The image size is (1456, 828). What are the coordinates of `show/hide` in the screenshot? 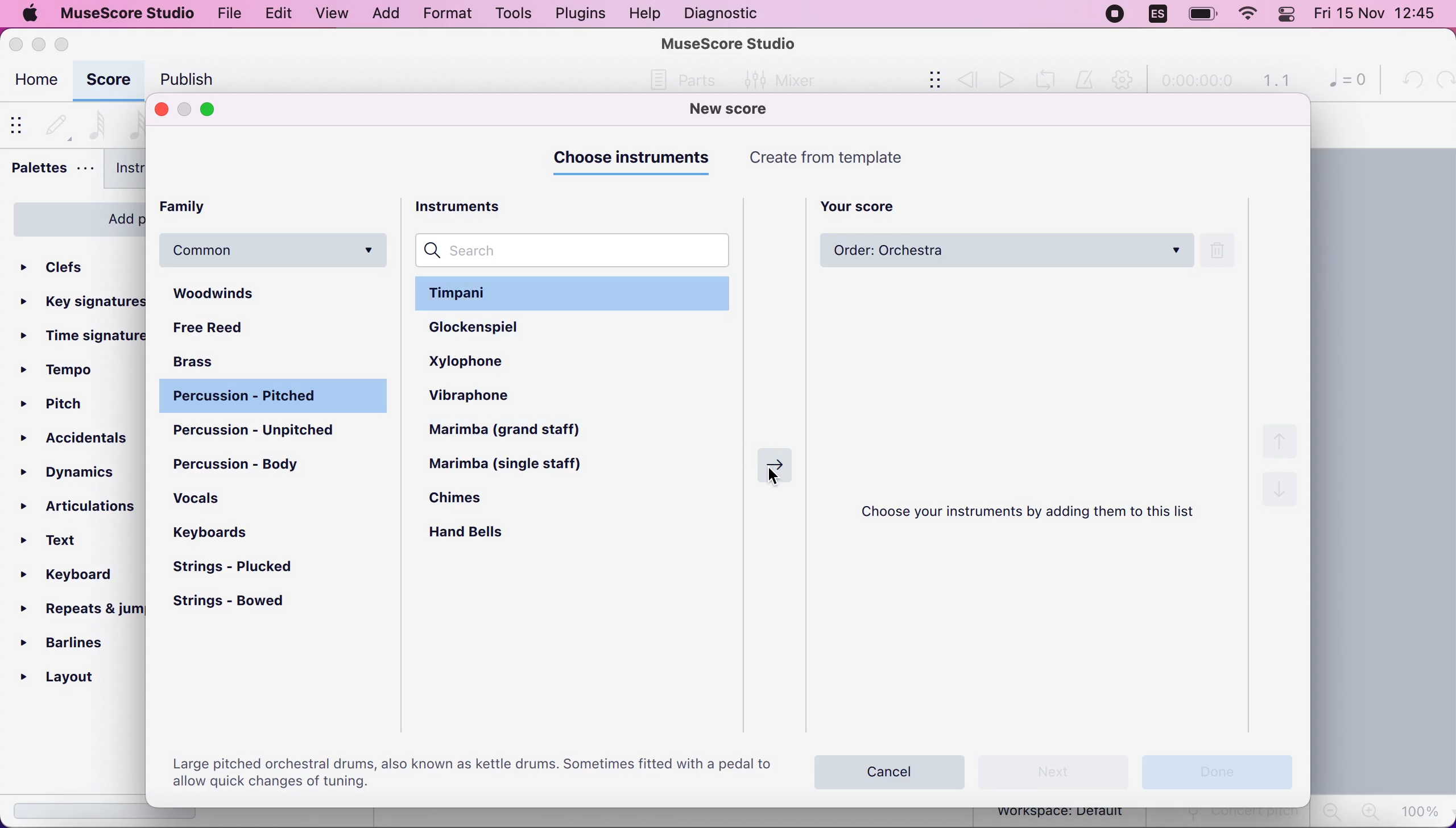 It's located at (926, 81).